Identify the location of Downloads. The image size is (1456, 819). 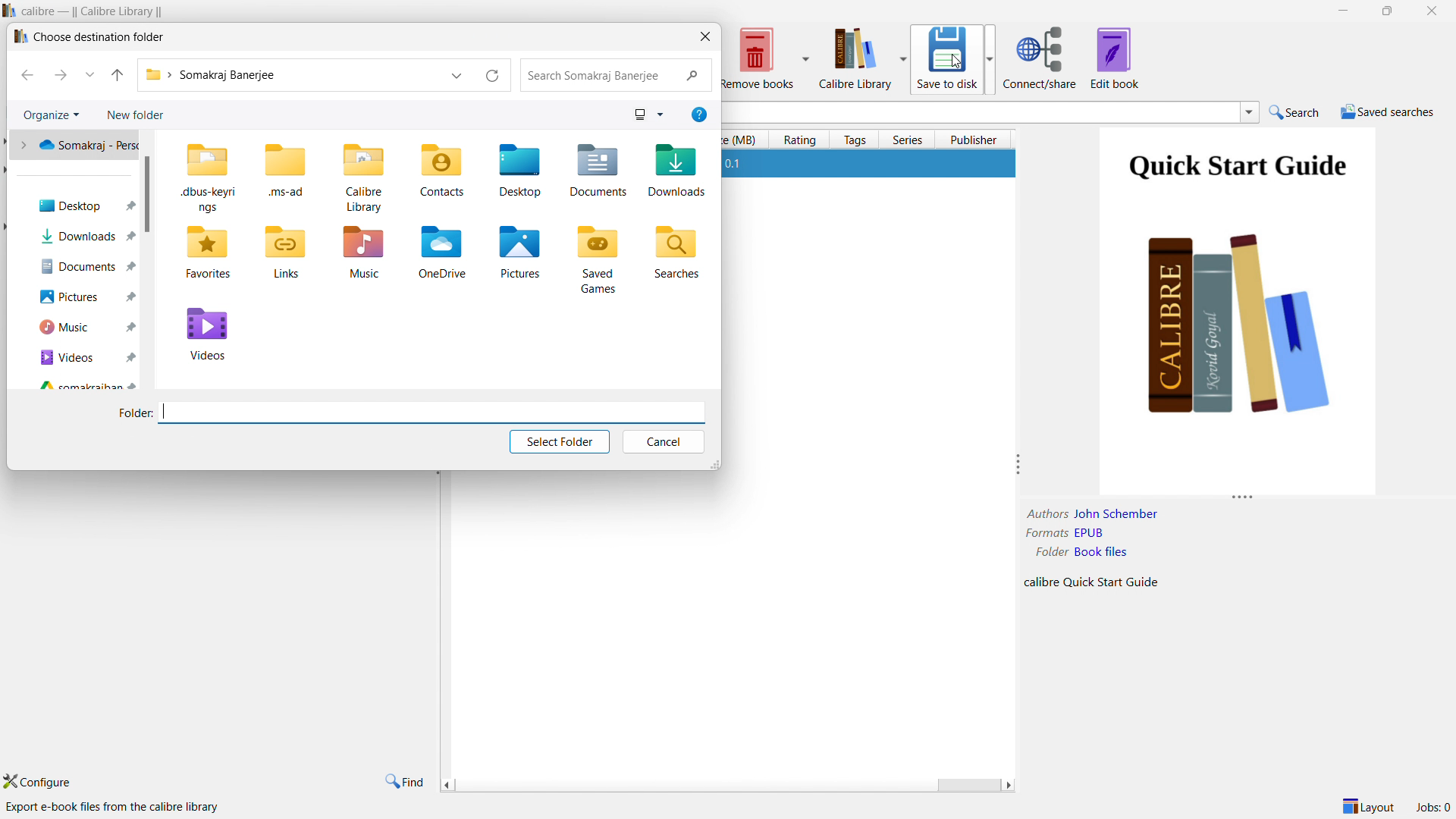
(677, 172).